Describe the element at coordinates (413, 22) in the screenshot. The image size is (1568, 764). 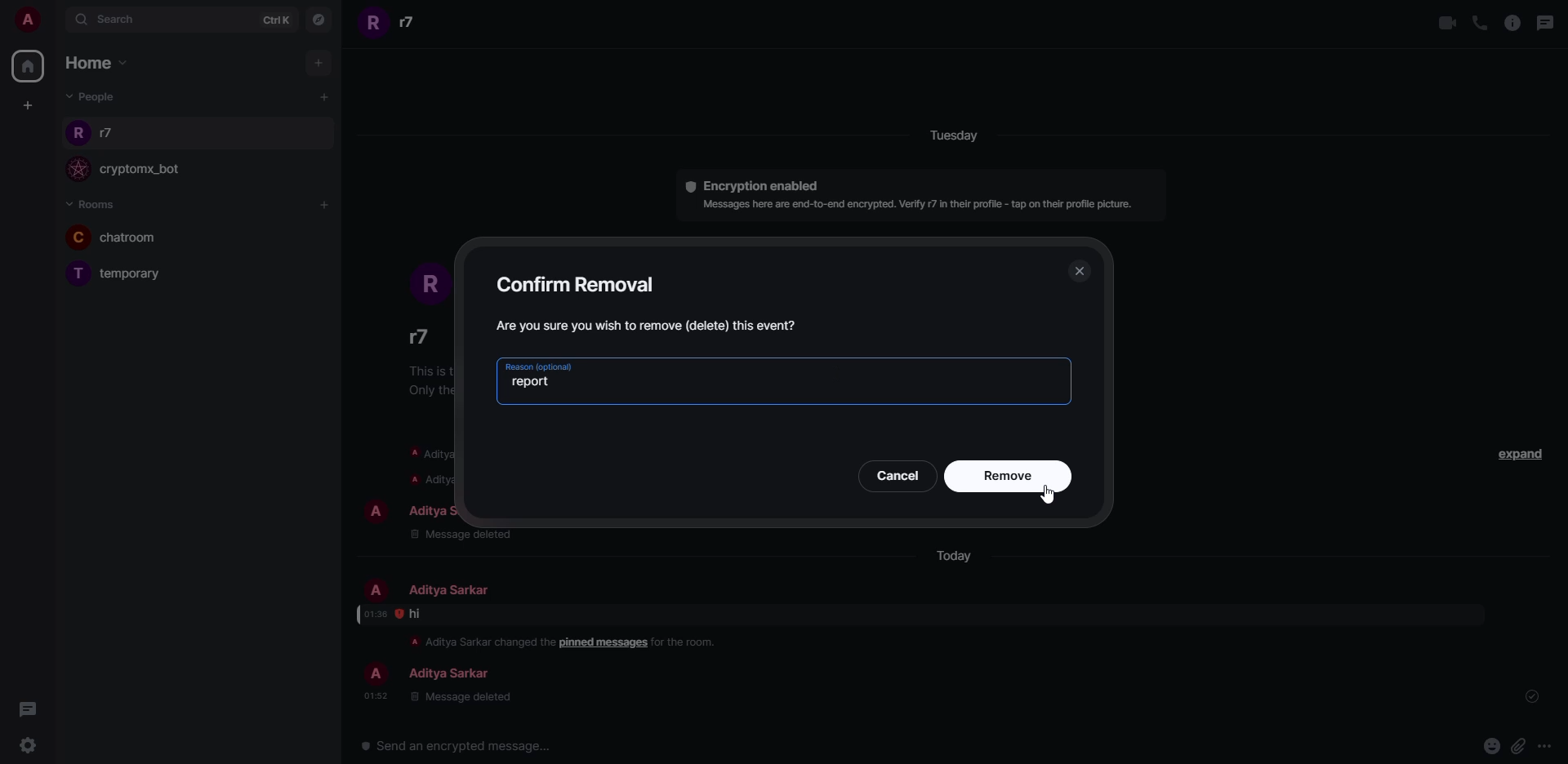
I see `people` at that location.